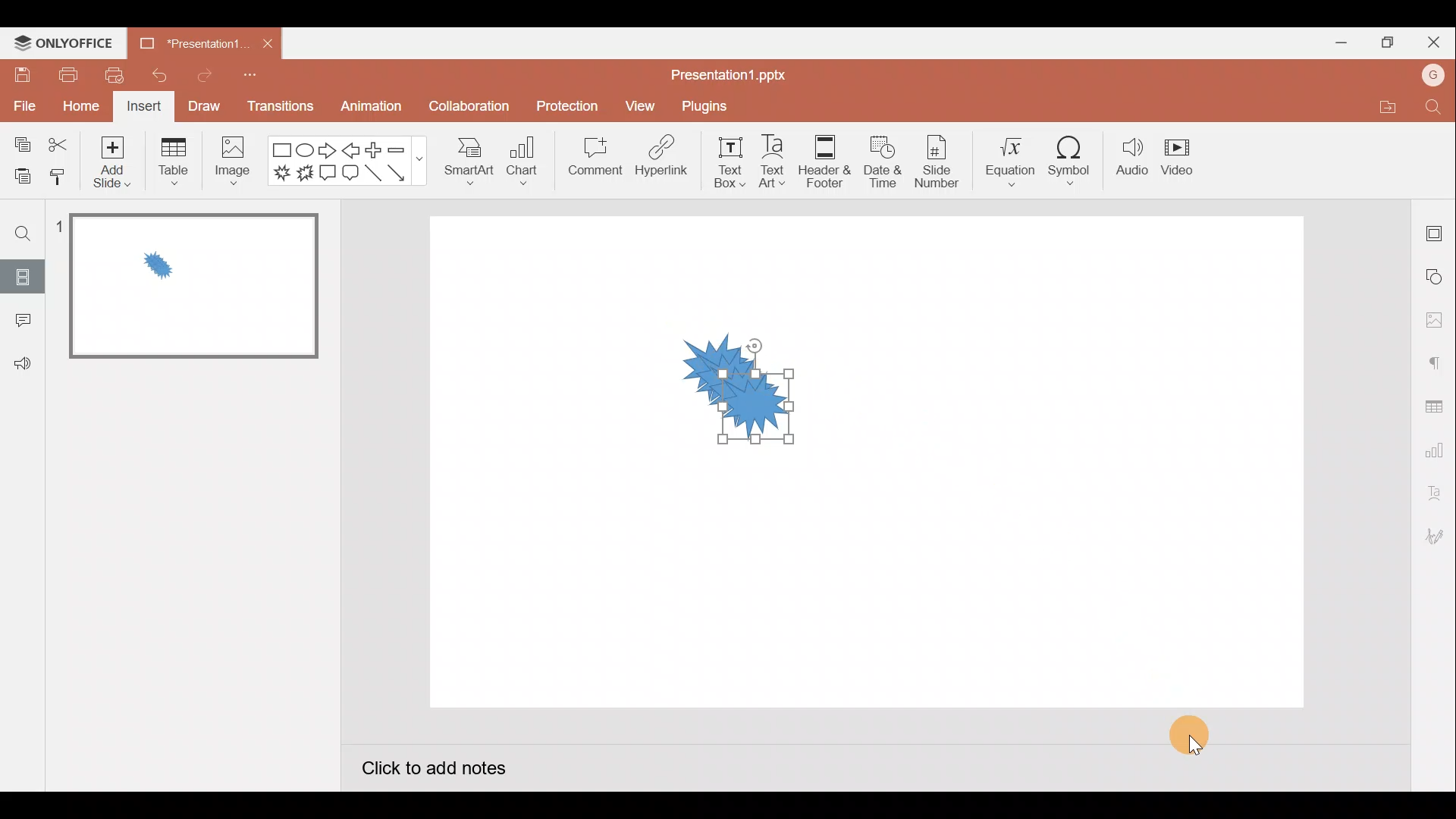 This screenshot has height=819, width=1456. What do you see at coordinates (146, 107) in the screenshot?
I see `Insert` at bounding box center [146, 107].